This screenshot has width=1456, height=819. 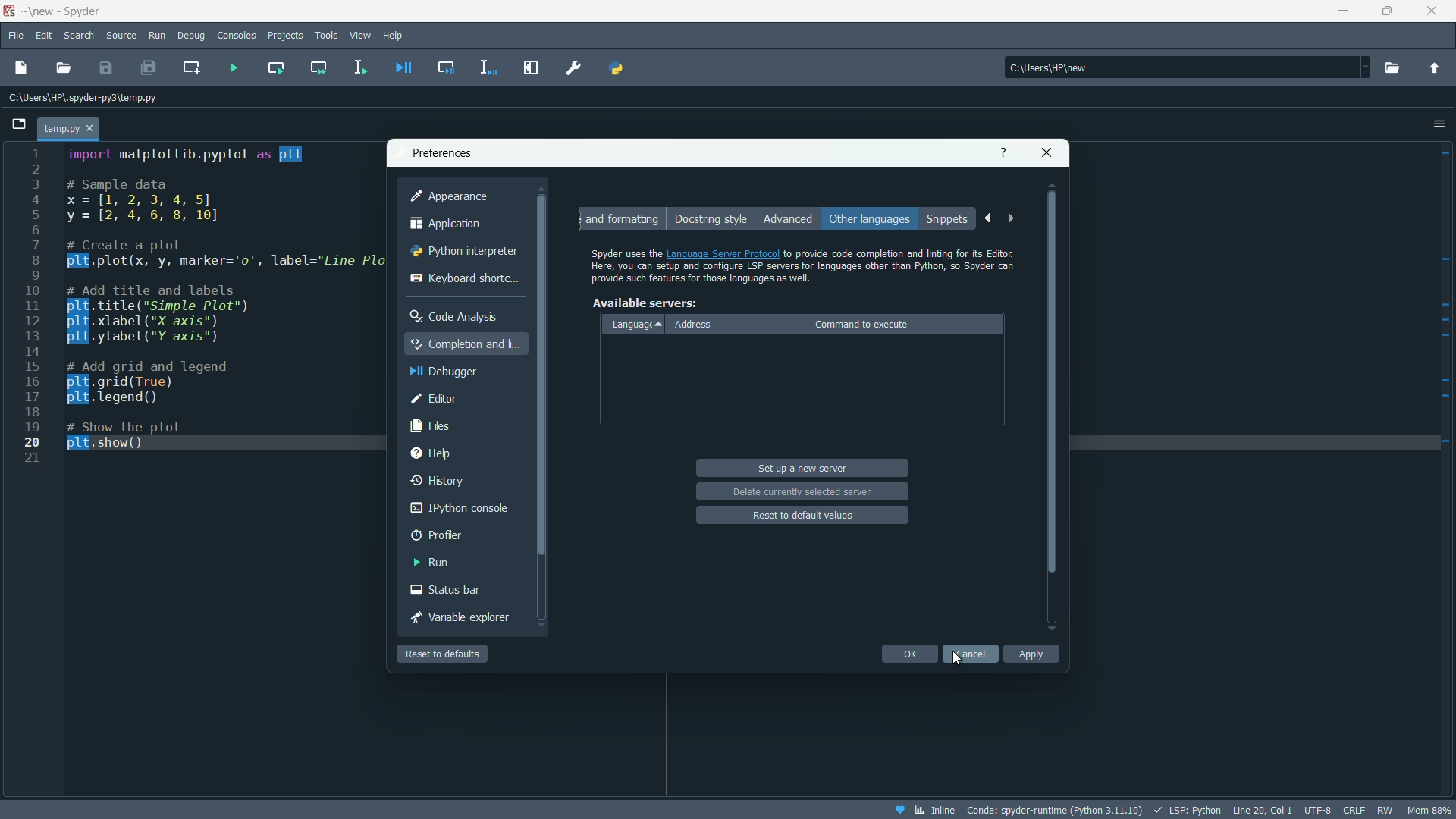 I want to click on app icon, so click(x=8, y=11).